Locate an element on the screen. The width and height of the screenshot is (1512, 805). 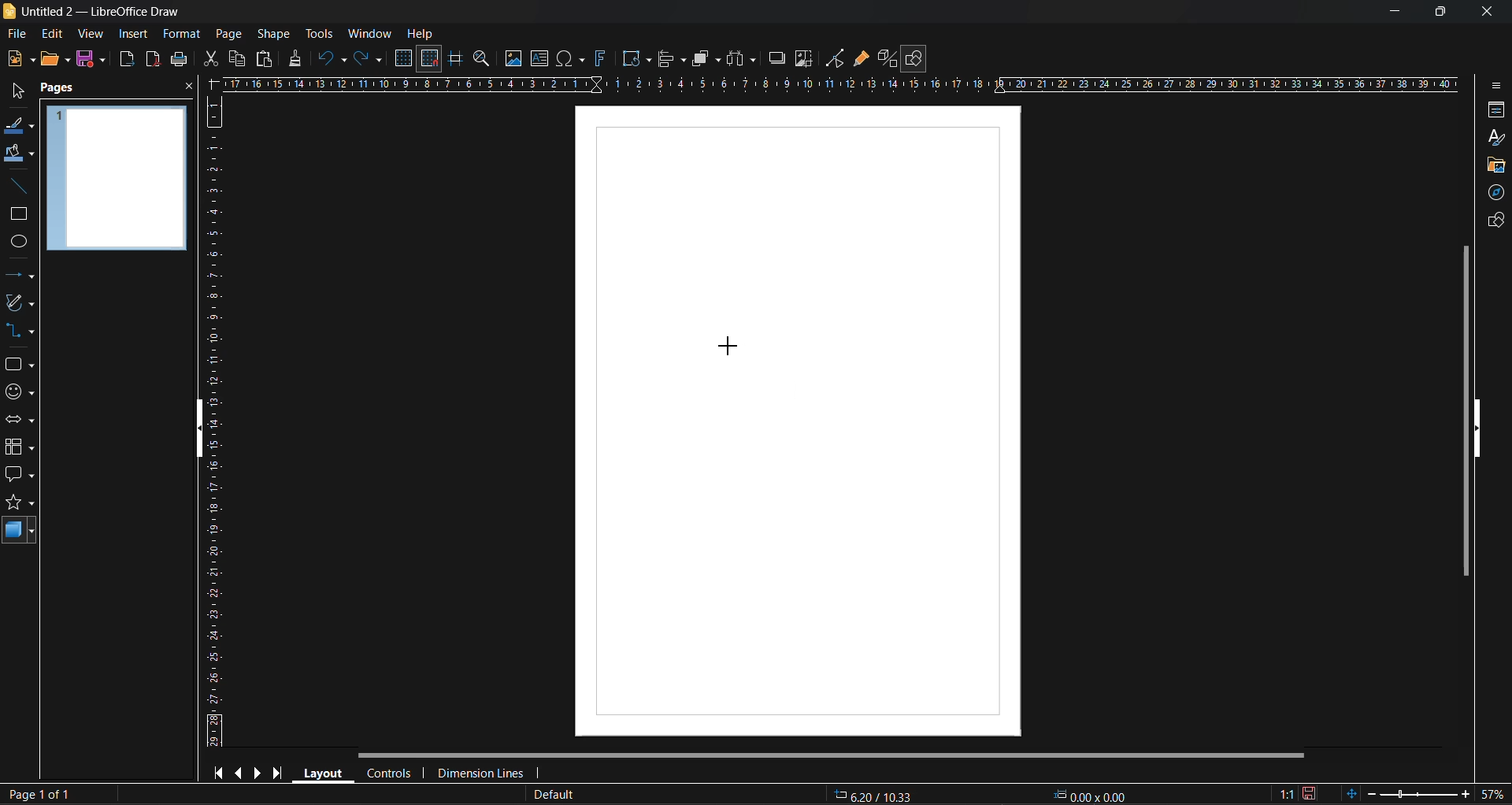
block arrows is located at coordinates (20, 421).